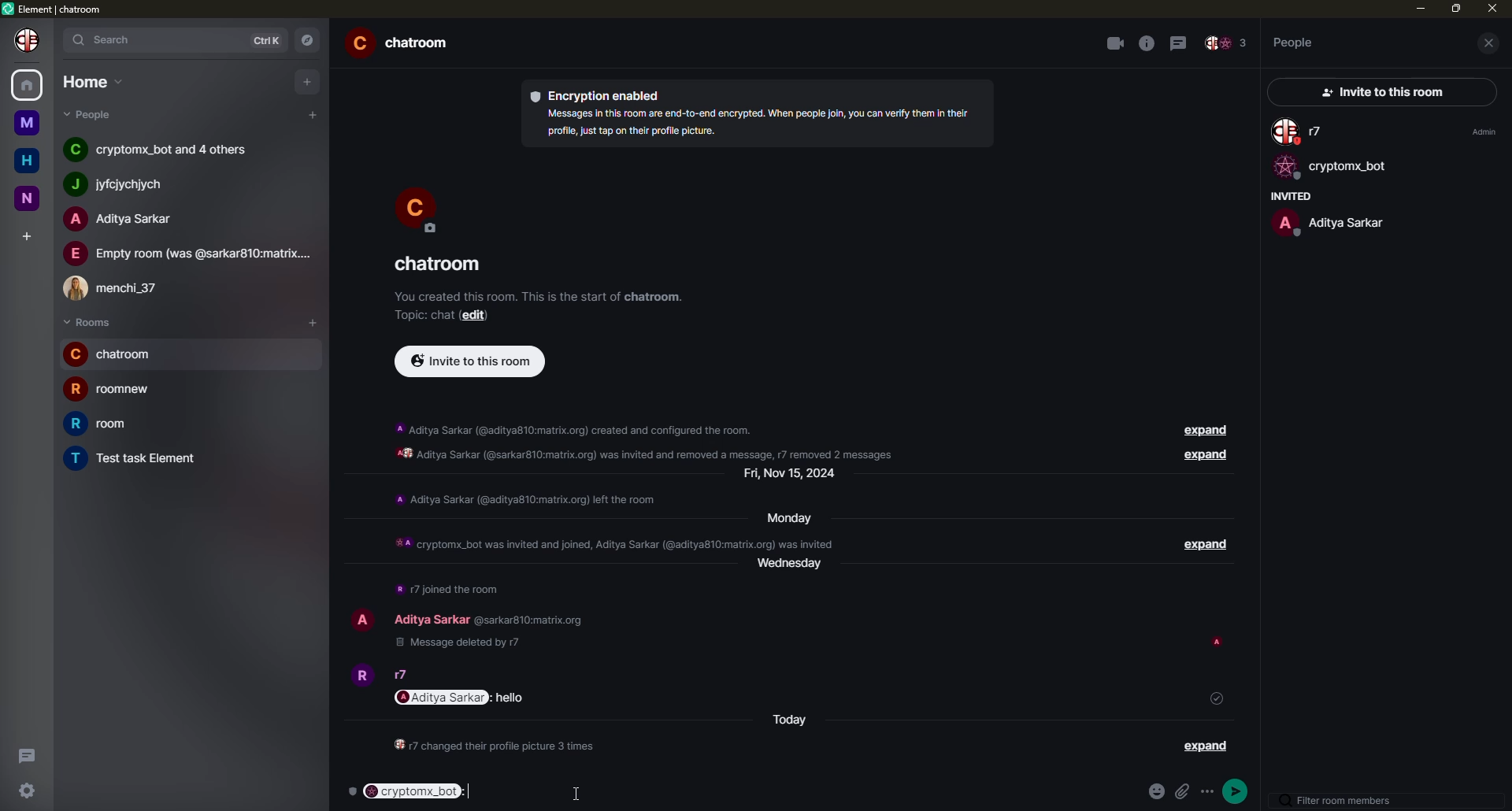  What do you see at coordinates (111, 424) in the screenshot?
I see `room` at bounding box center [111, 424].